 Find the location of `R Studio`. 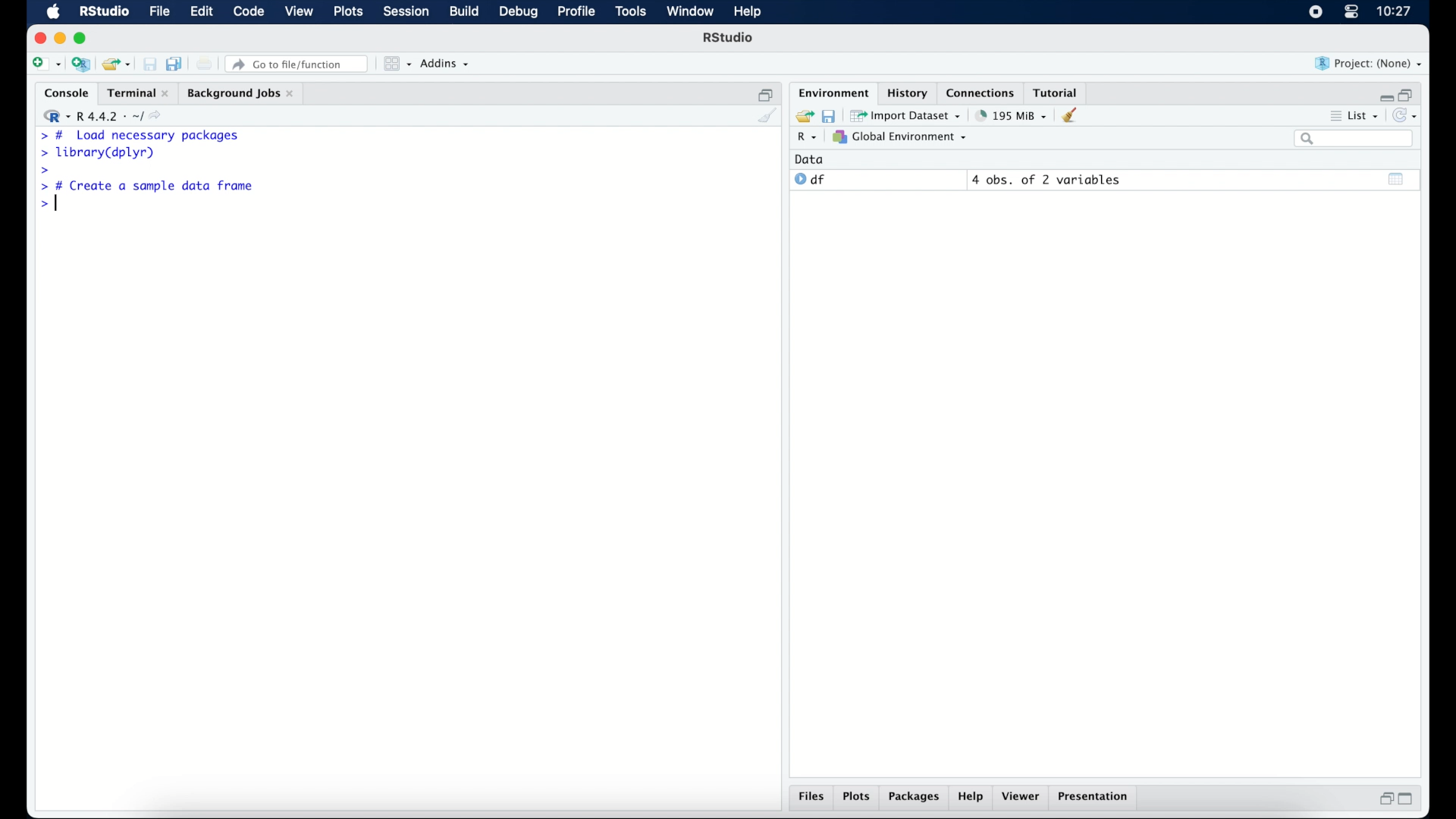

R Studio is located at coordinates (104, 12).